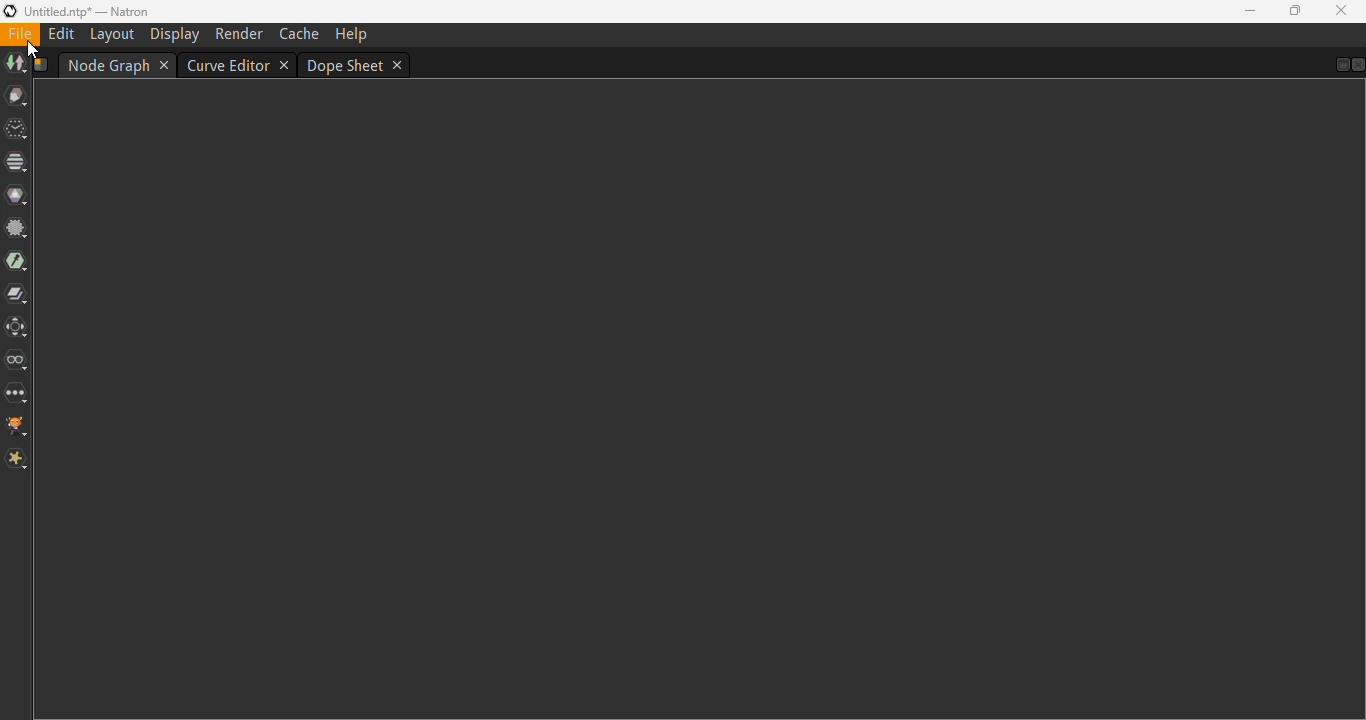 This screenshot has height=720, width=1366. Describe the element at coordinates (1295, 10) in the screenshot. I see `maximize` at that location.